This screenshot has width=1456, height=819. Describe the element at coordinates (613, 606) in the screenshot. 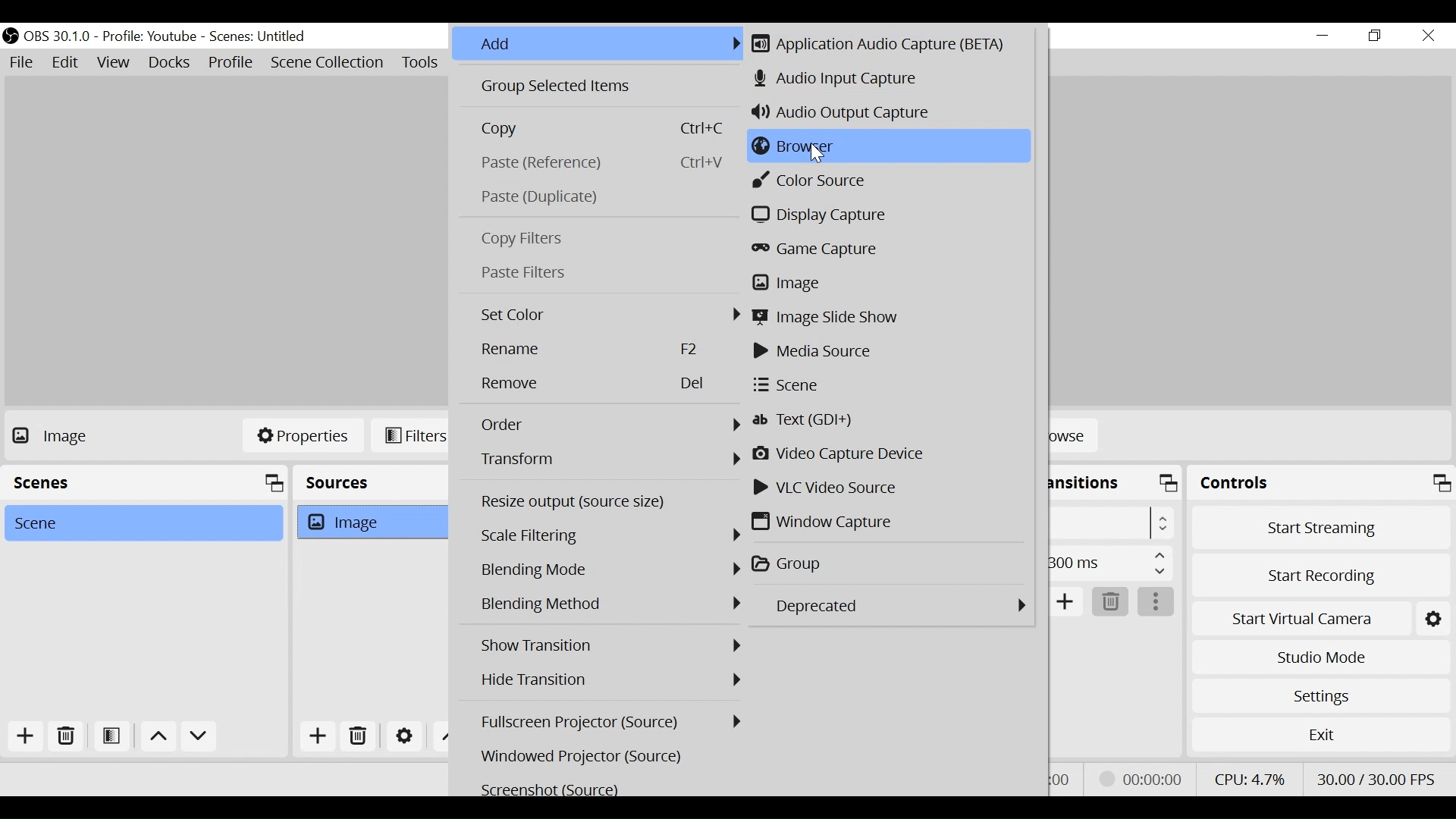

I see `Blending Mode` at that location.